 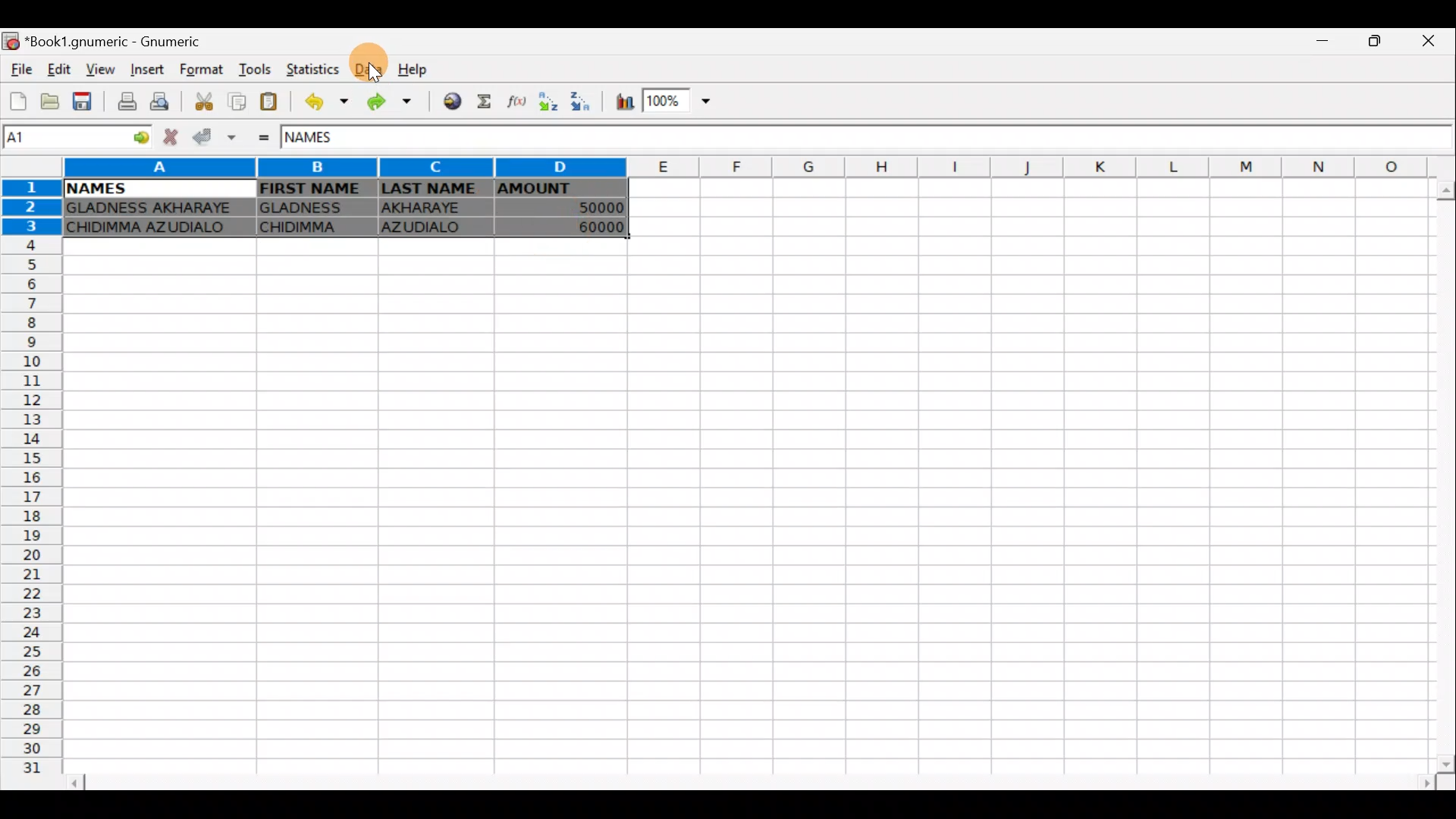 What do you see at coordinates (1379, 42) in the screenshot?
I see `Maximize` at bounding box center [1379, 42].